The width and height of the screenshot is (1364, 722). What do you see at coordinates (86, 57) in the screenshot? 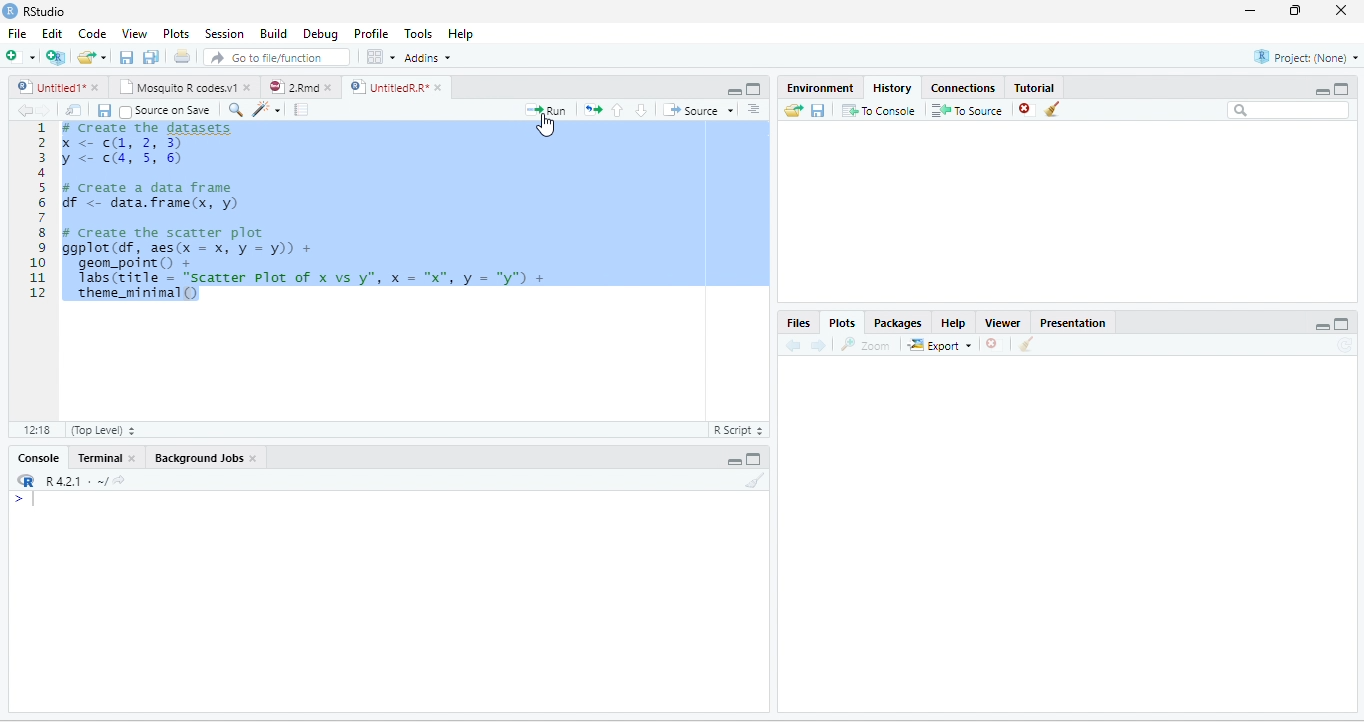
I see `Open an existing file` at bounding box center [86, 57].